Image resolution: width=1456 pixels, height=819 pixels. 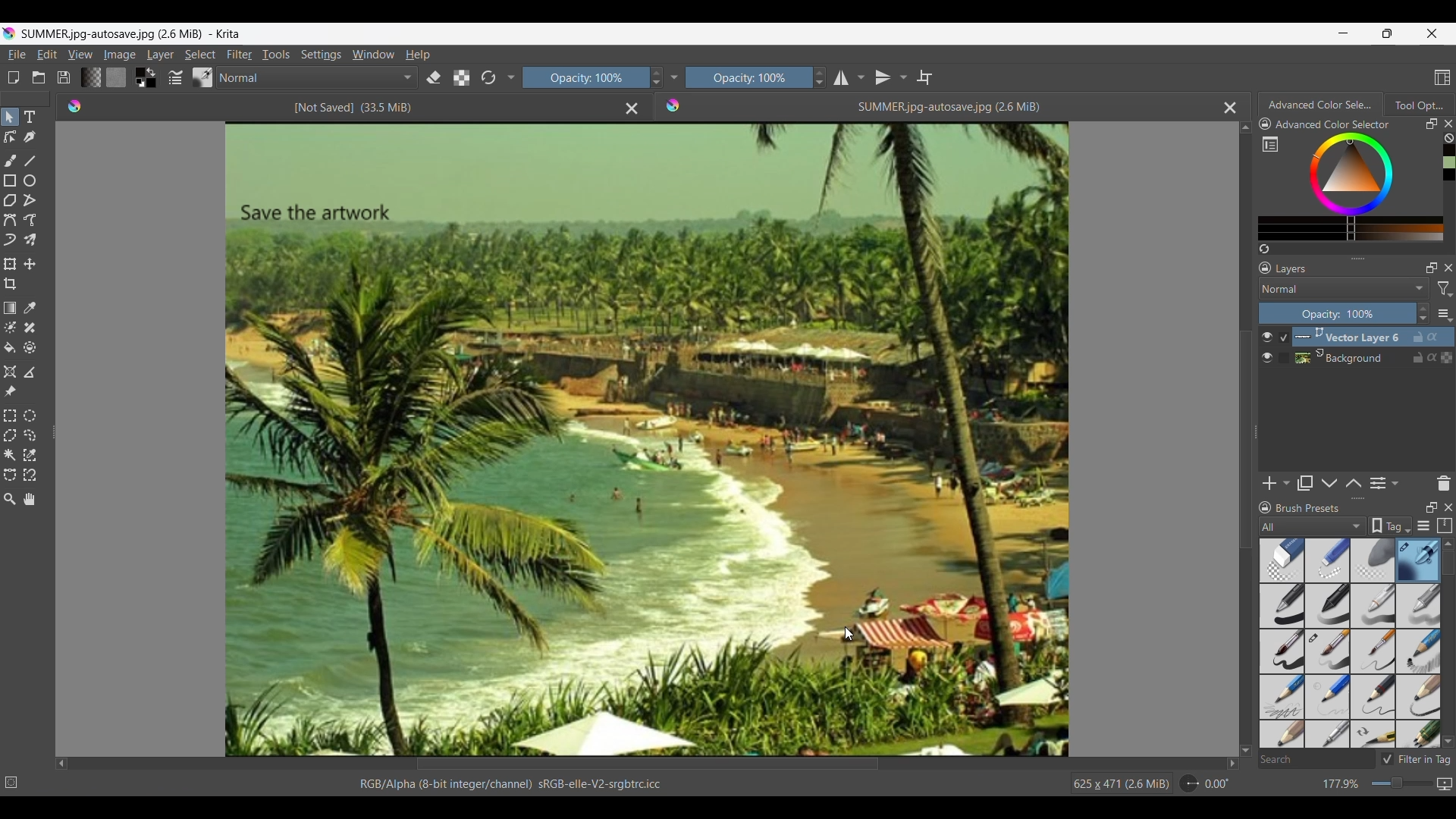 What do you see at coordinates (1329, 483) in the screenshot?
I see `Move layer/mask down` at bounding box center [1329, 483].